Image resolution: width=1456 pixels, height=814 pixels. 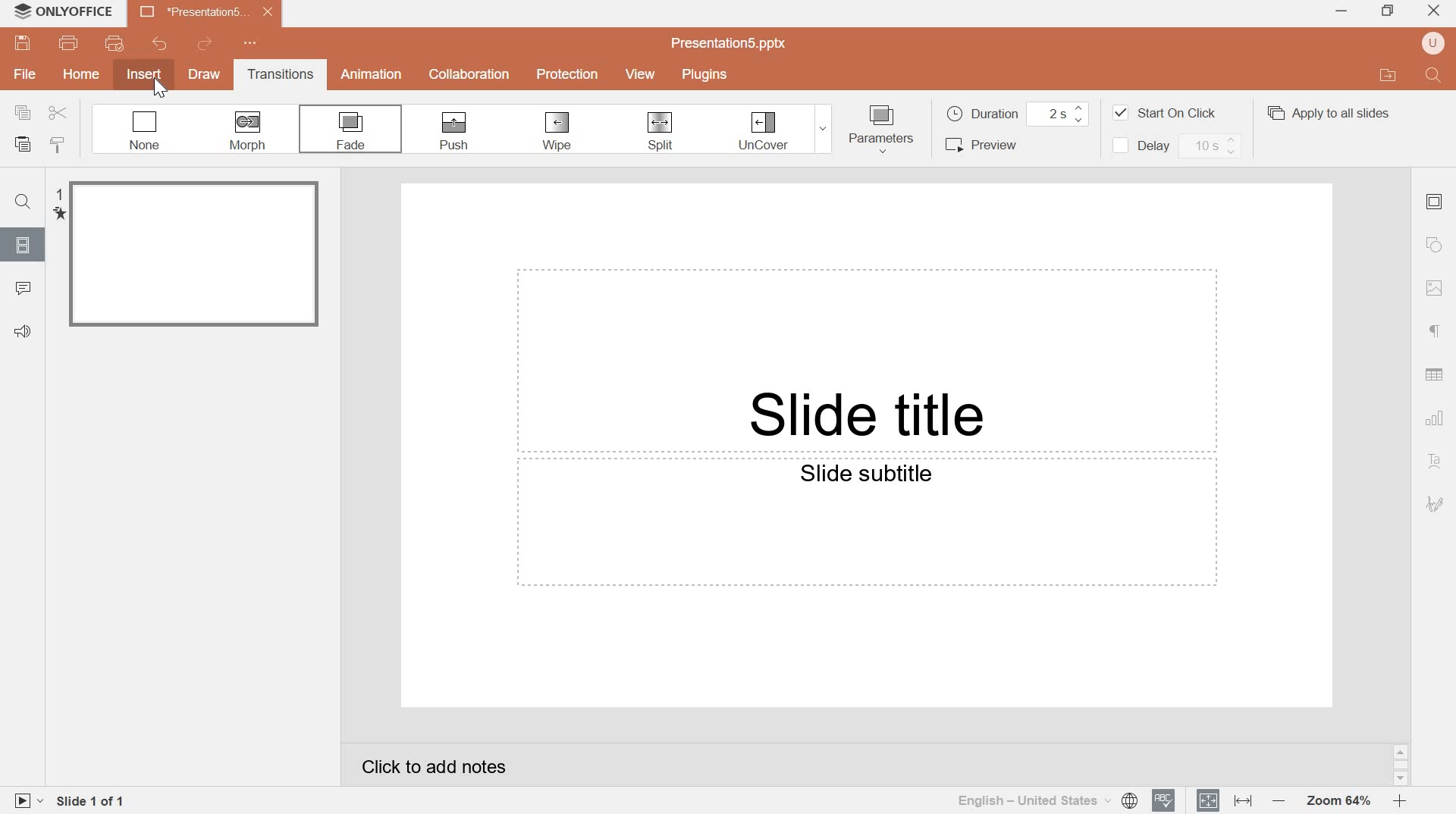 I want to click on zoom out, so click(x=1276, y=800).